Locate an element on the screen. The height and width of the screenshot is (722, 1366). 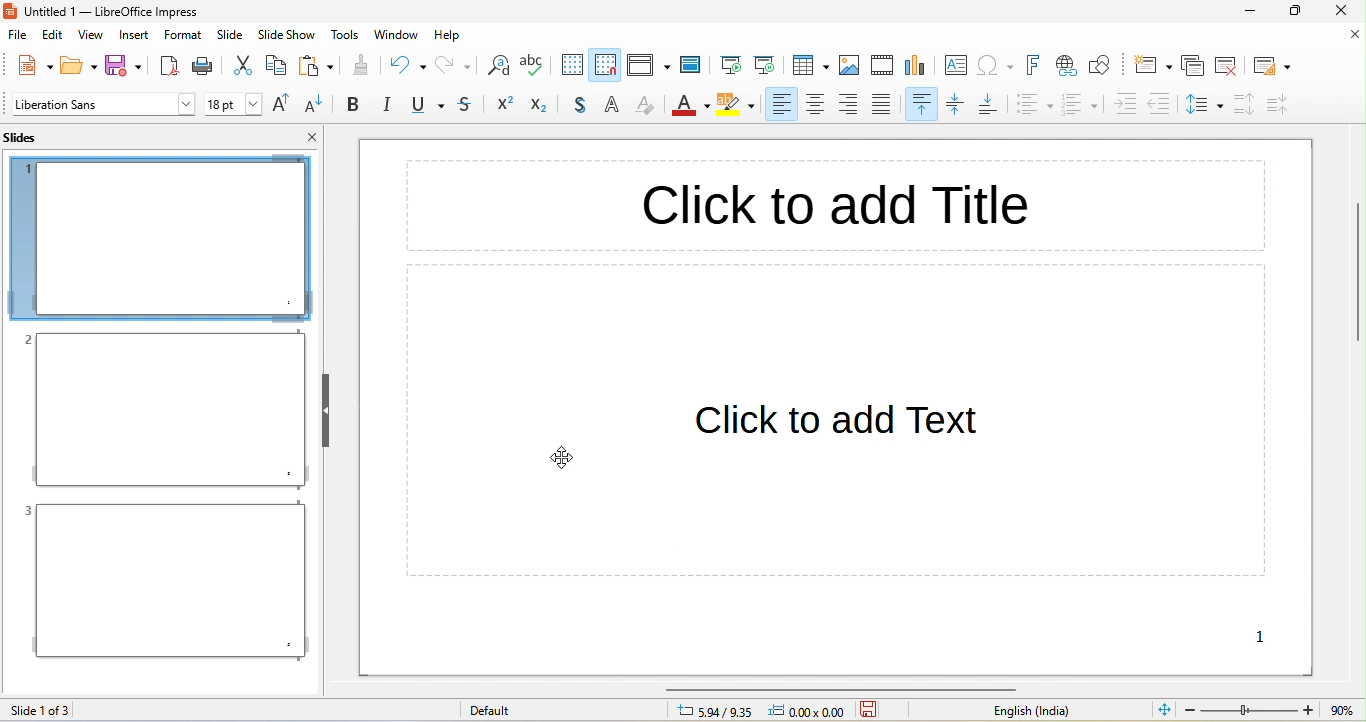
font name is located at coordinates (103, 104).